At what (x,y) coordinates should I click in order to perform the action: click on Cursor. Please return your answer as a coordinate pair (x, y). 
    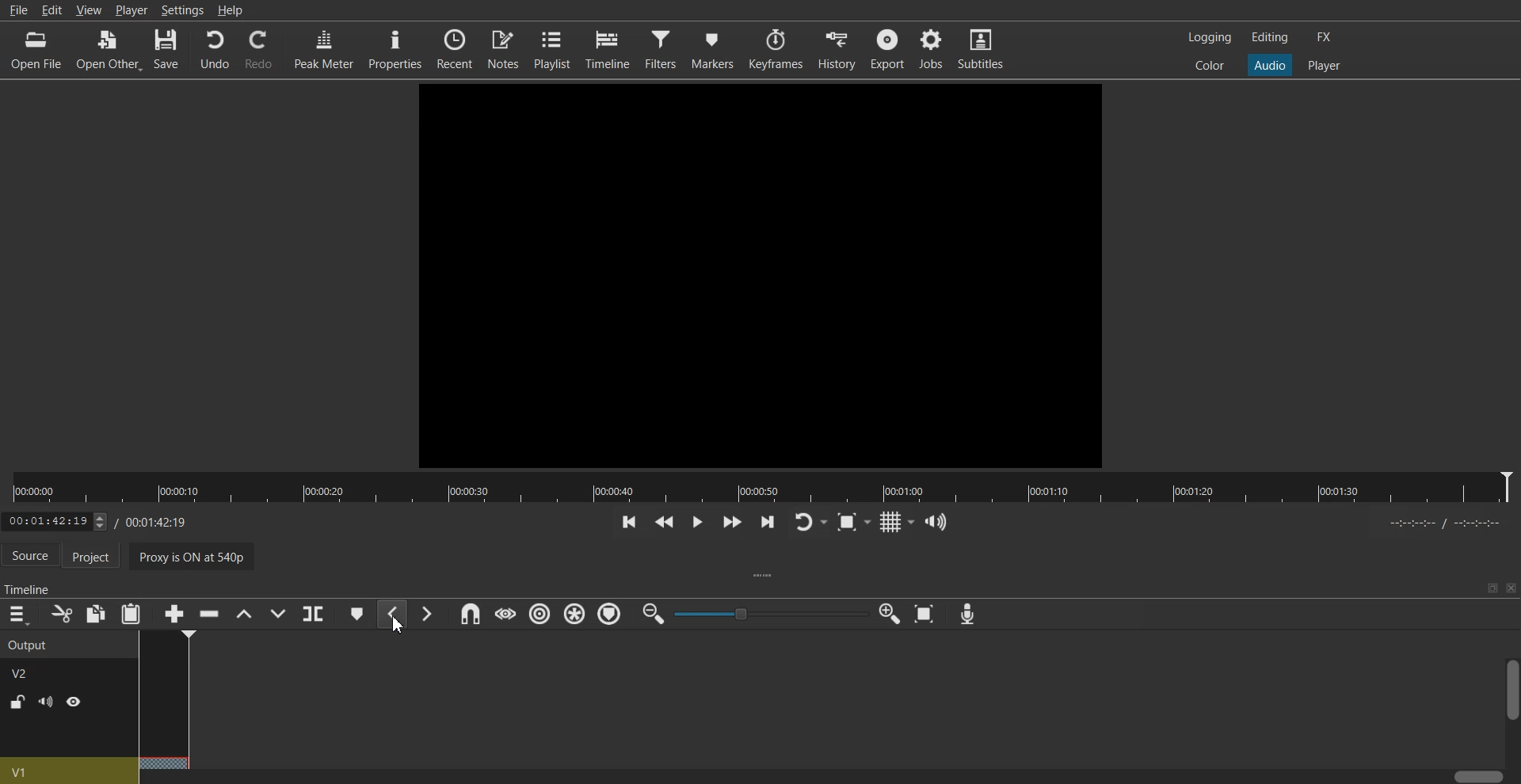
    Looking at the image, I should click on (401, 626).